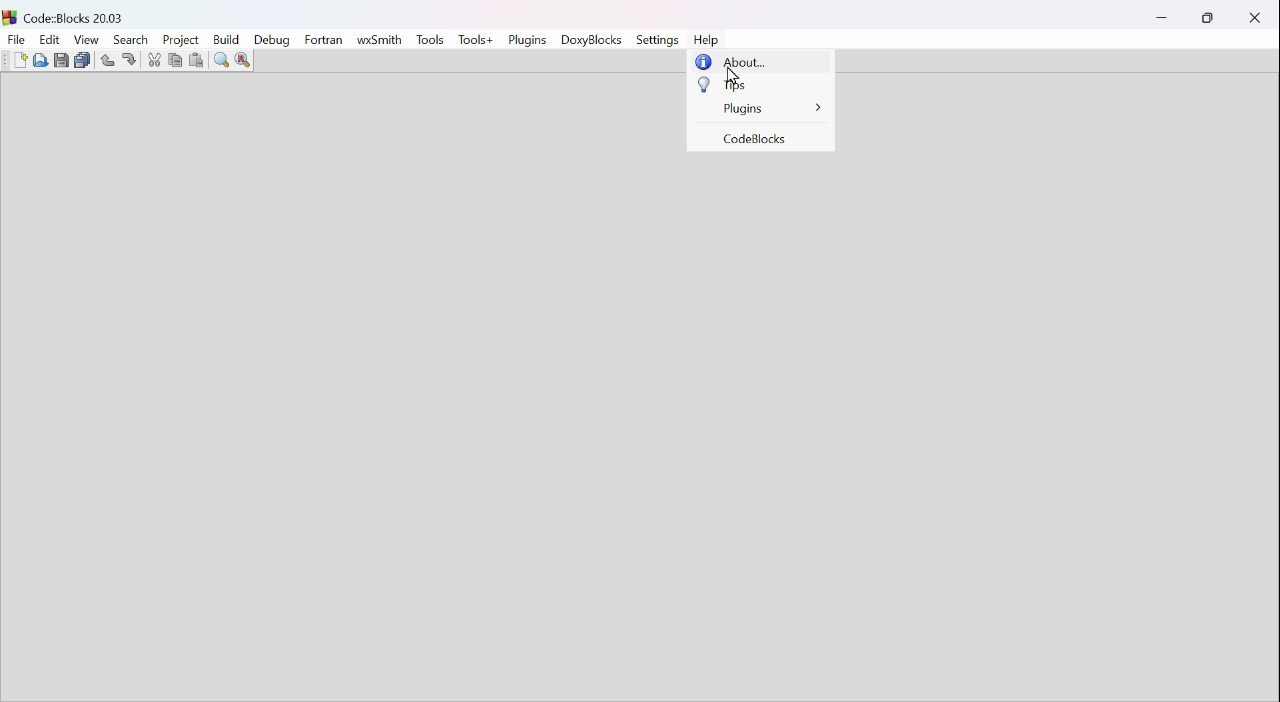 This screenshot has width=1280, height=702. I want to click on Fortran, so click(326, 40).